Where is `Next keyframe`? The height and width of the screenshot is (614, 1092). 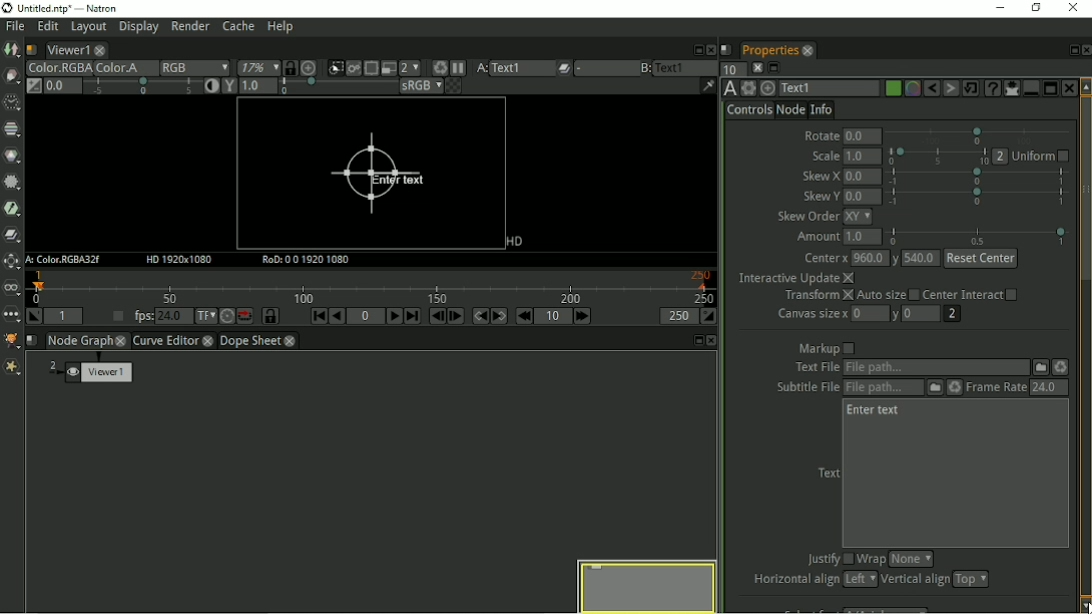 Next keyframe is located at coordinates (500, 316).